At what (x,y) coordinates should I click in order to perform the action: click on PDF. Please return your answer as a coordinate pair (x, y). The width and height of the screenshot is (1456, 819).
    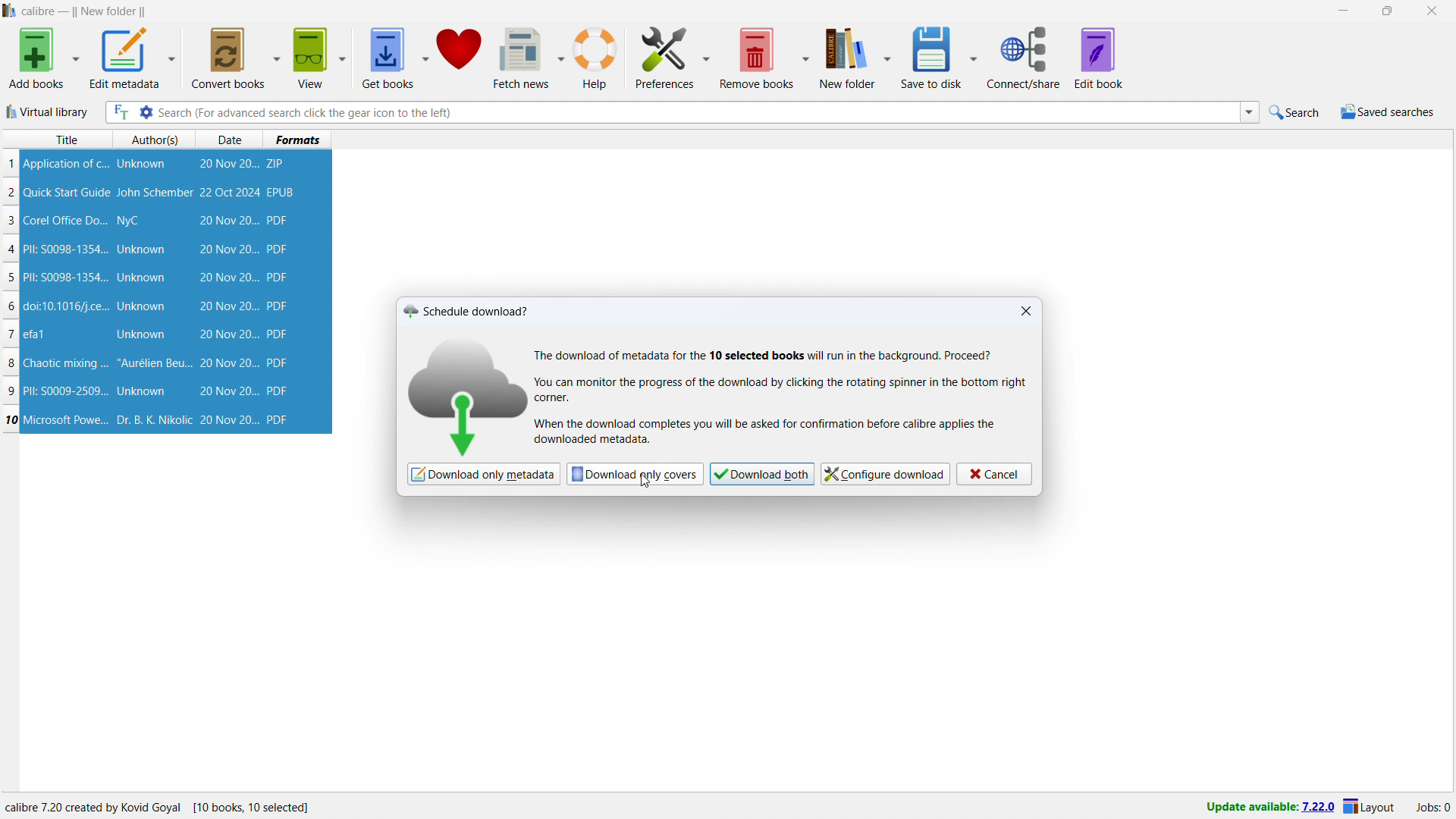
    Looking at the image, I should click on (278, 334).